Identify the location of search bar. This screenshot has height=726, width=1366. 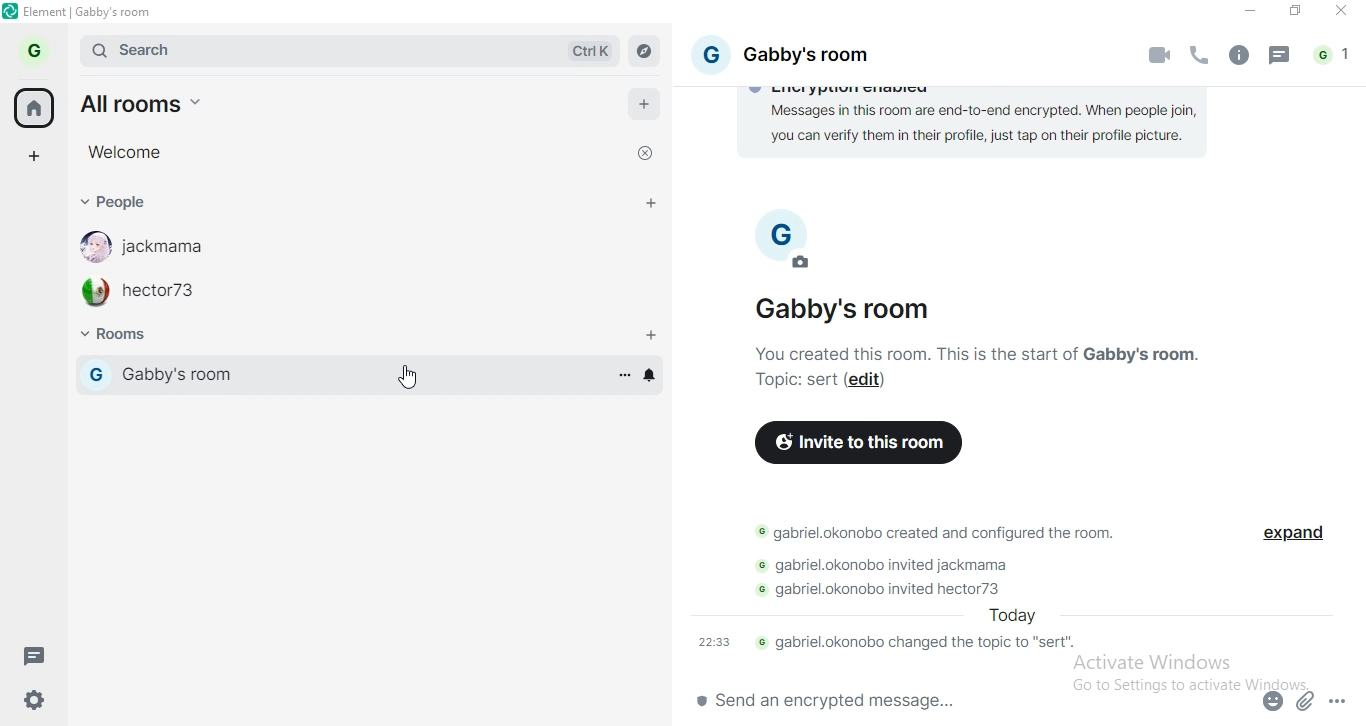
(249, 50).